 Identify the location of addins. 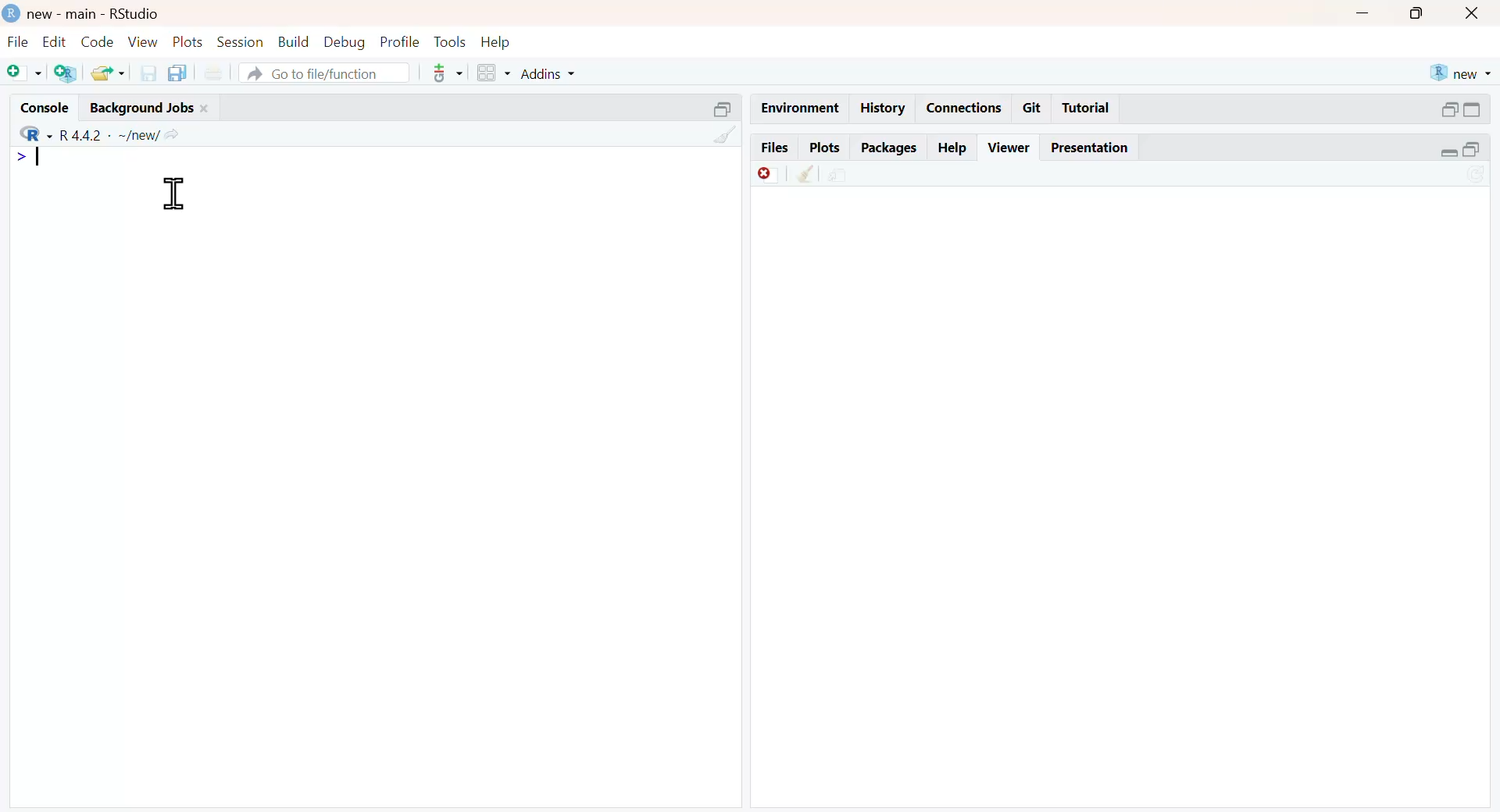
(548, 74).